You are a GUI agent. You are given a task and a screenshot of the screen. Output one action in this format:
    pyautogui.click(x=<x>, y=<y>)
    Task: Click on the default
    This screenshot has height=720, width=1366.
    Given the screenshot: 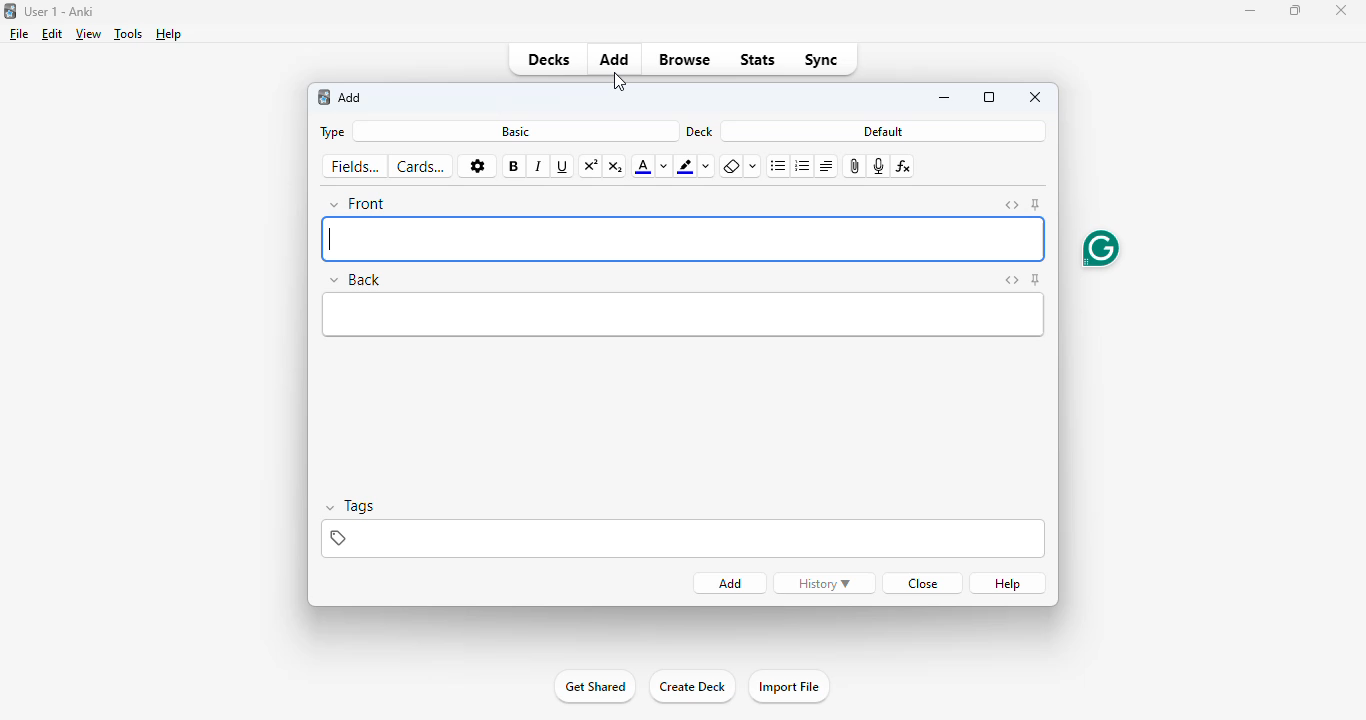 What is the action you would take?
    pyautogui.click(x=884, y=131)
    